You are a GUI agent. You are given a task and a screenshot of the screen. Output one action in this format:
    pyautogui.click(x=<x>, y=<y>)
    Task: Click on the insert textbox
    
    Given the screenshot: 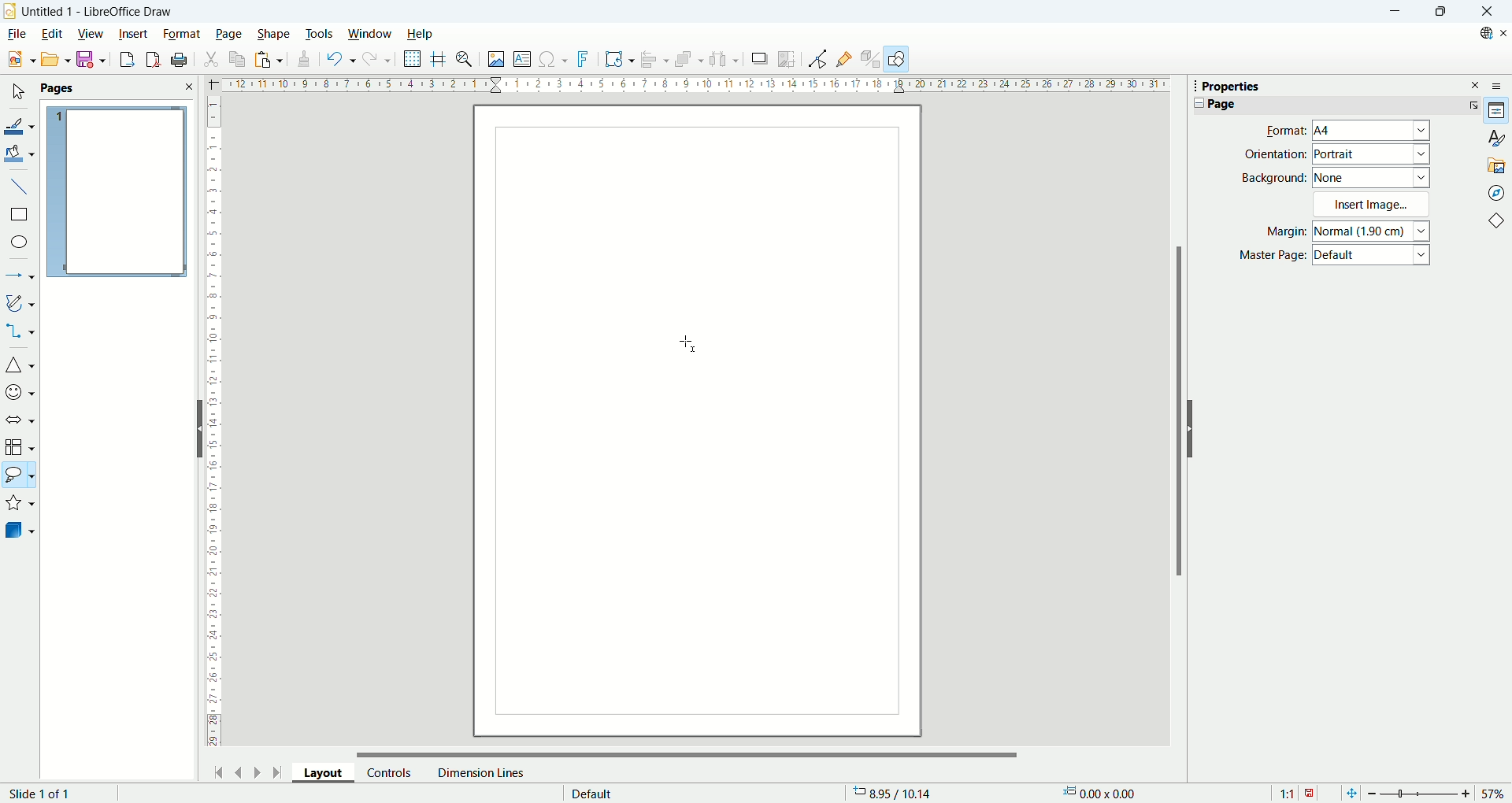 What is the action you would take?
    pyautogui.click(x=524, y=60)
    